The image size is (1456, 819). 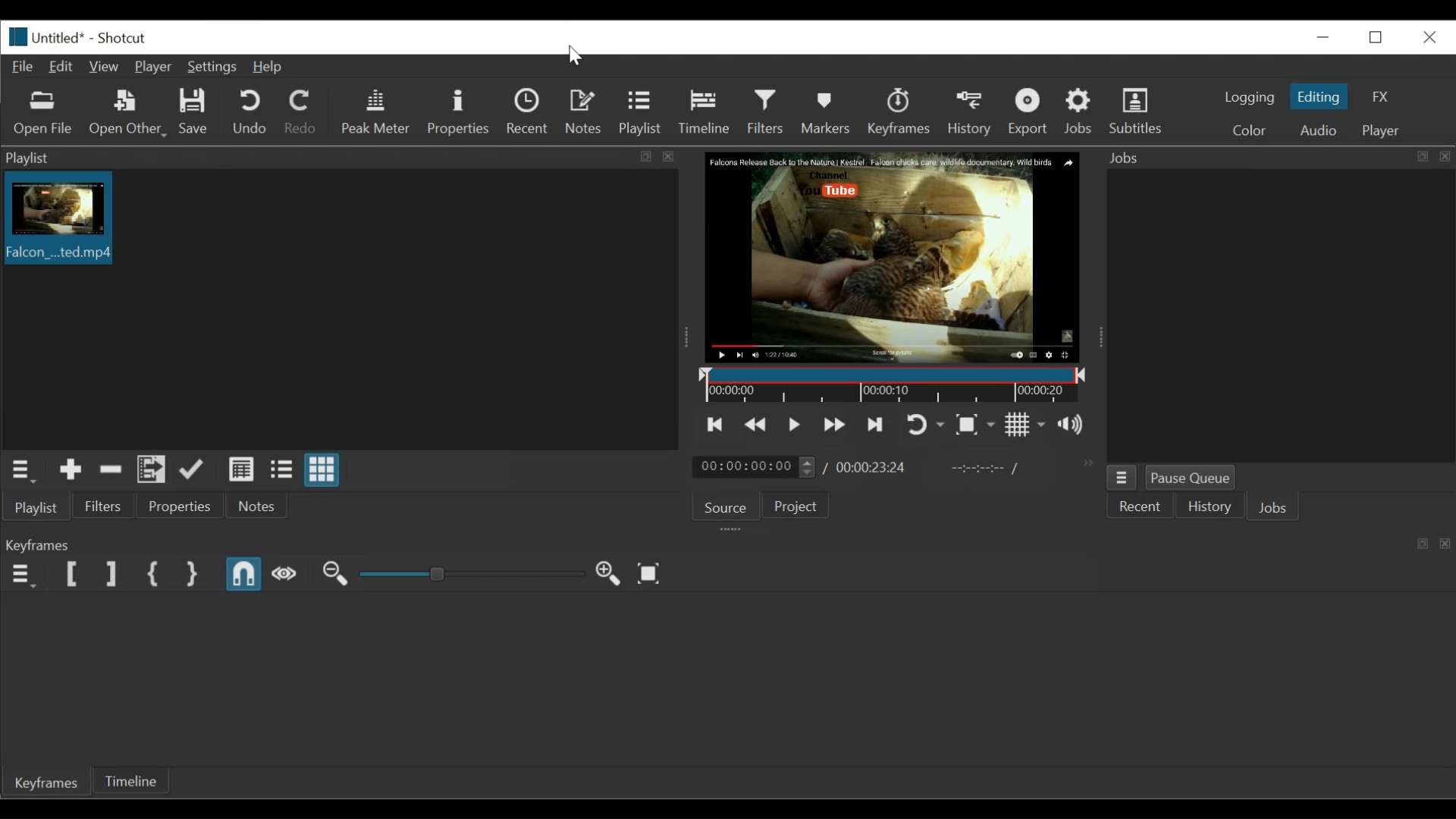 I want to click on Adjust Zoom slider keyframe , so click(x=472, y=576).